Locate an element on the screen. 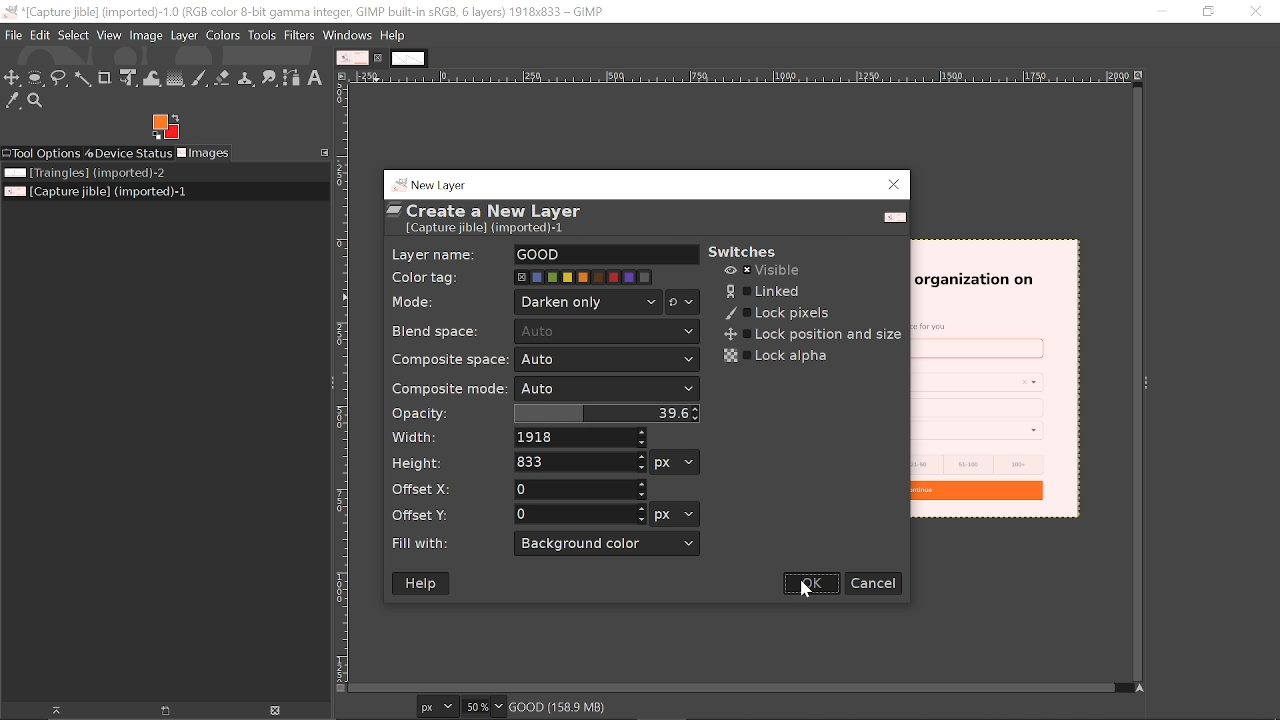 This screenshot has width=1280, height=720. Text tool is located at coordinates (316, 77).